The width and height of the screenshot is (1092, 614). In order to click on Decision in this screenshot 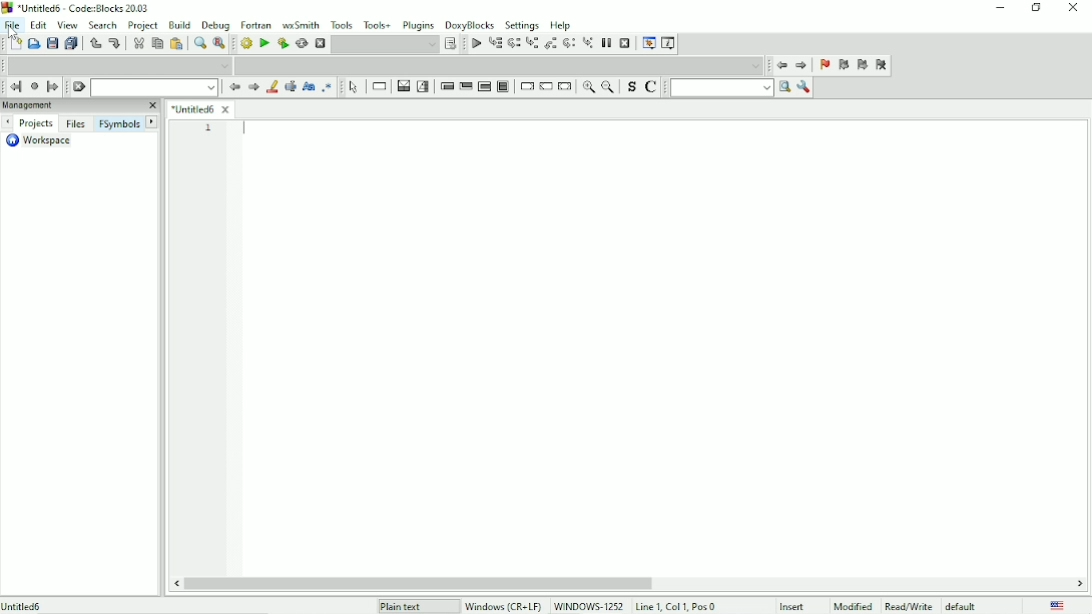, I will do `click(403, 87)`.